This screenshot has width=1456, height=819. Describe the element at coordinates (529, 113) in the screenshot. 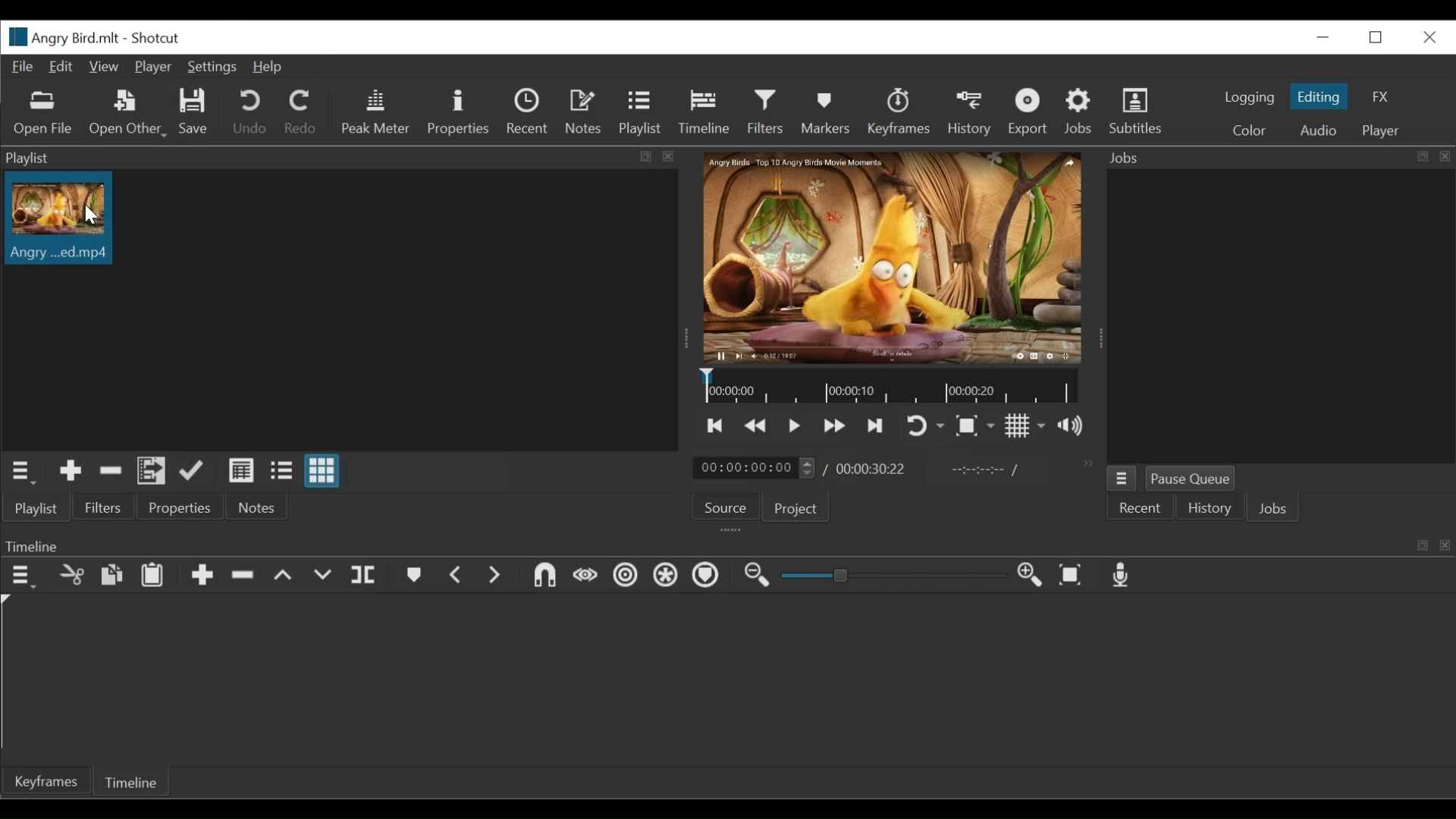

I see `Recent` at that location.